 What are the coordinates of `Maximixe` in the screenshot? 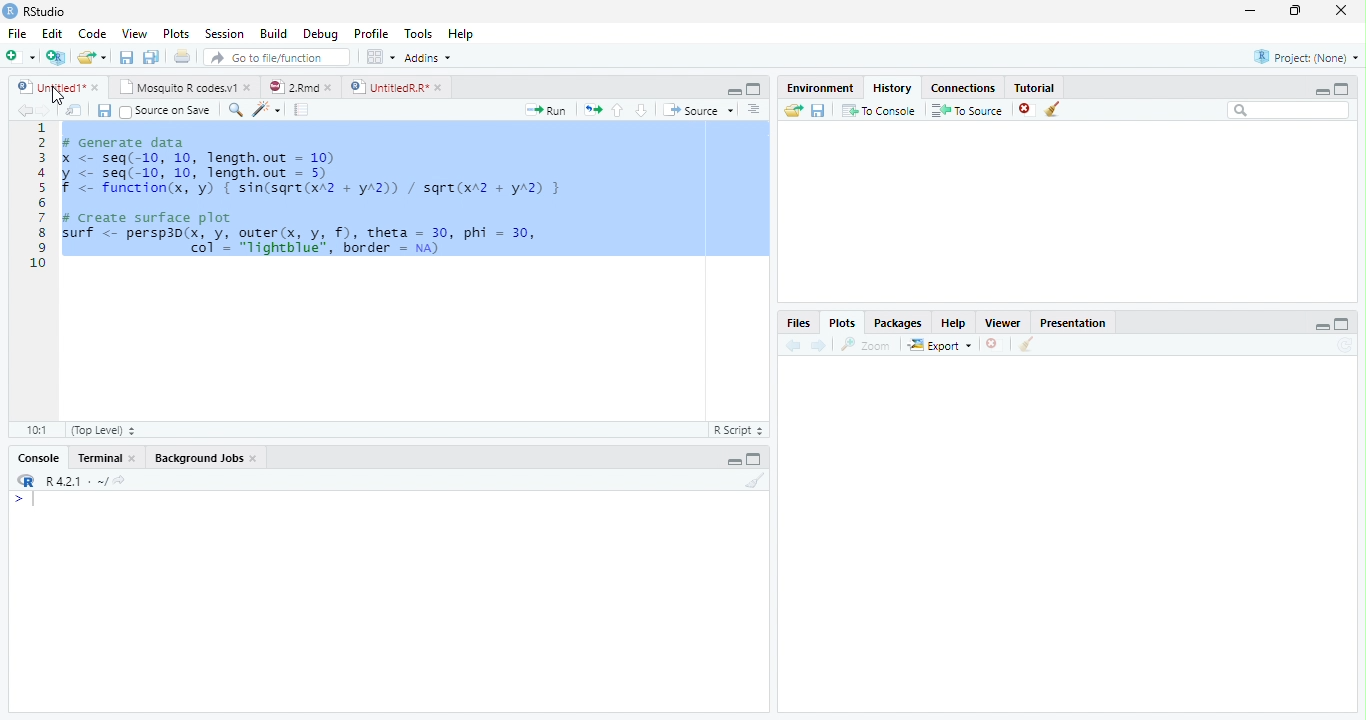 It's located at (754, 88).